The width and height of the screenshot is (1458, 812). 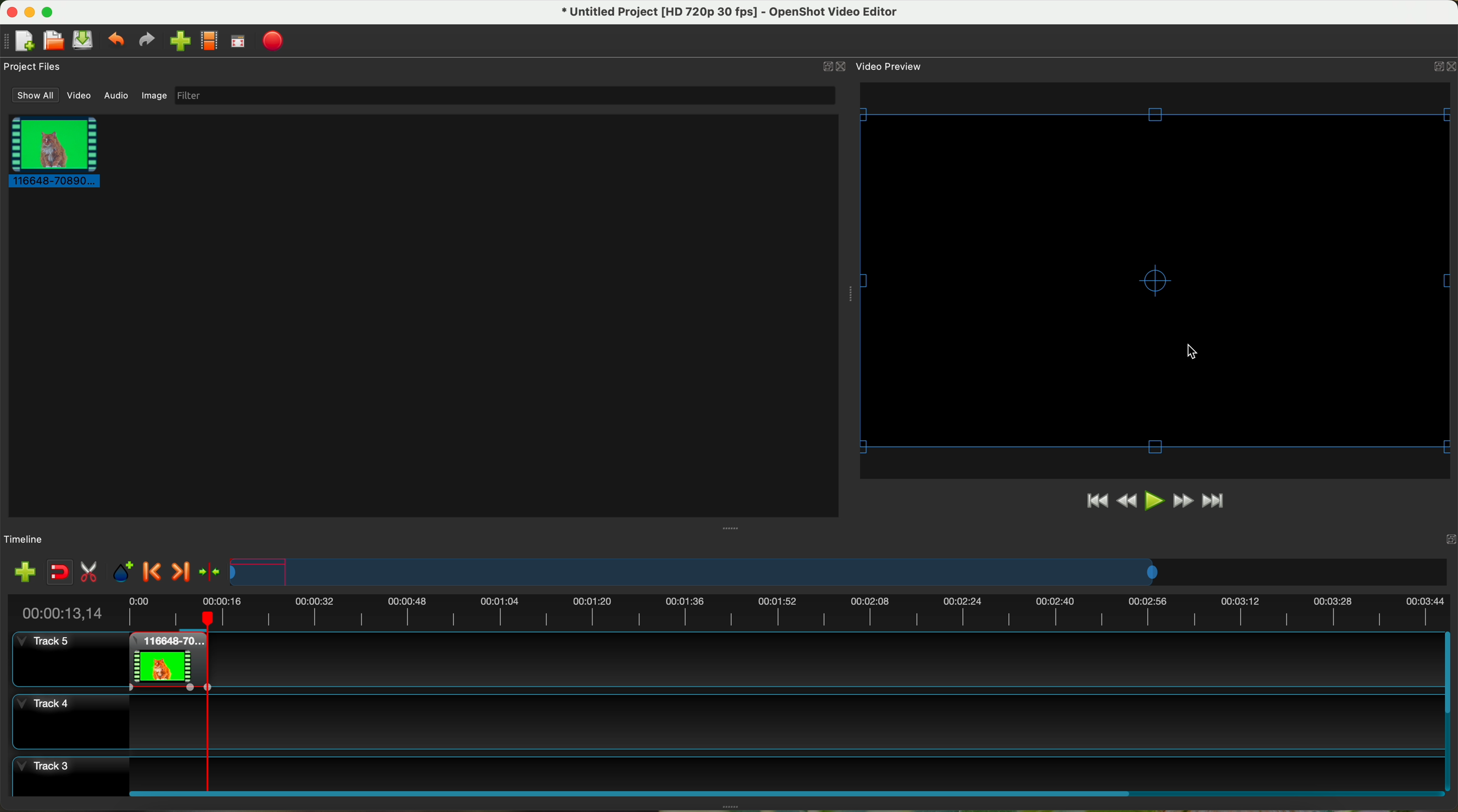 I want to click on video, so click(x=1157, y=280).